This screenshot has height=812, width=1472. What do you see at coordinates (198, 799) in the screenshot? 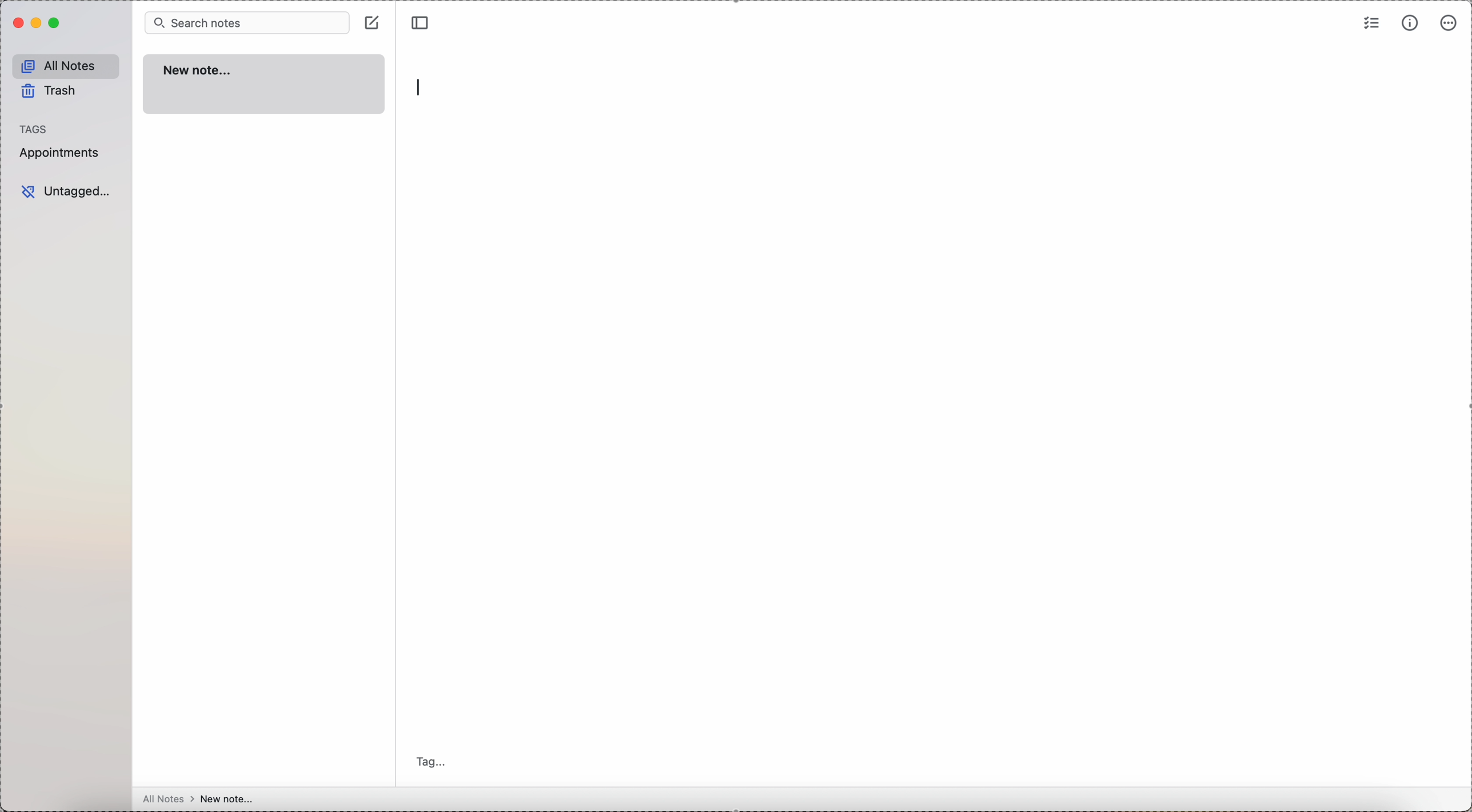
I see `all notes > new note...` at bounding box center [198, 799].